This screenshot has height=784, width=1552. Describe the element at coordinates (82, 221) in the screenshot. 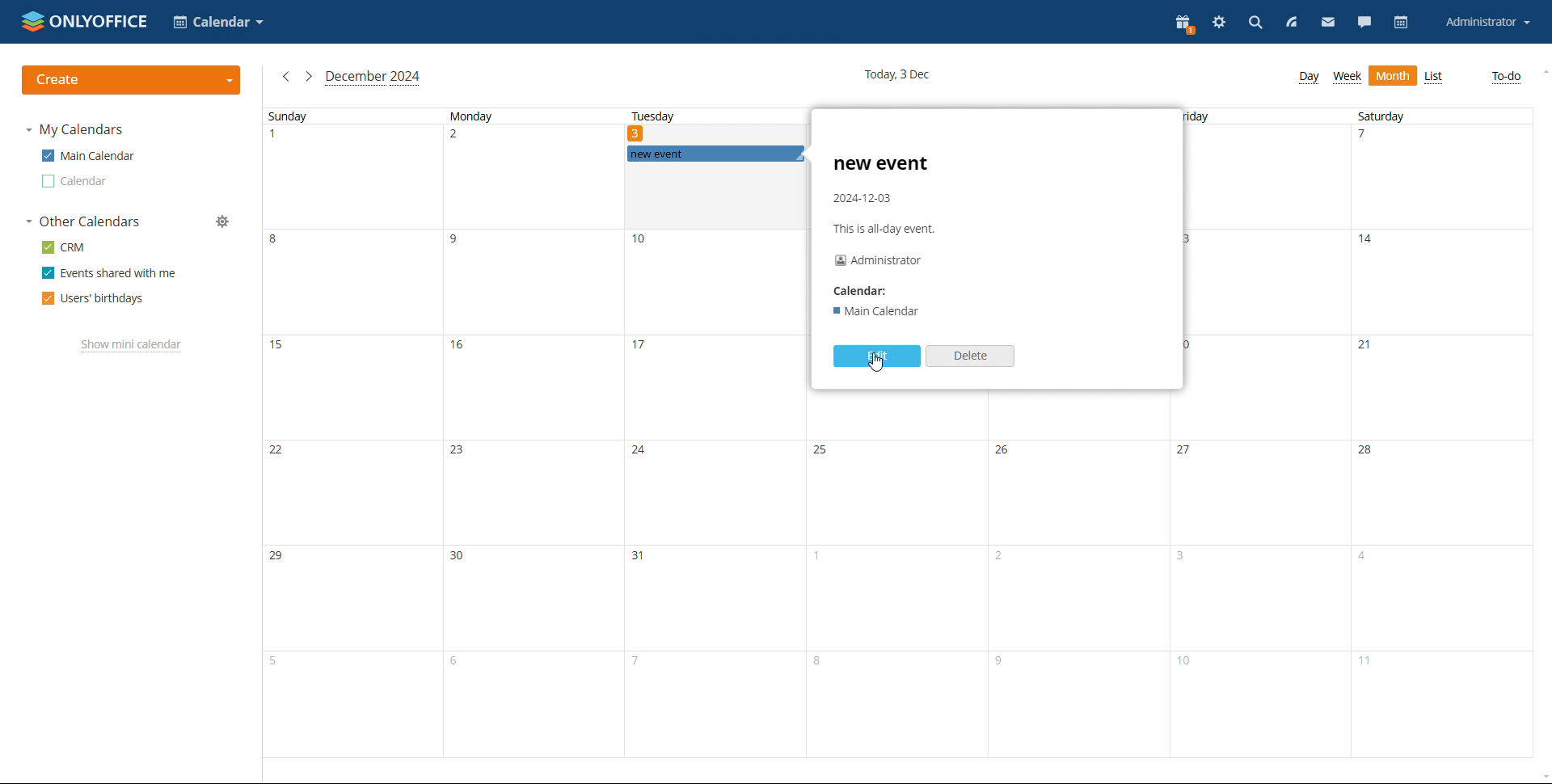

I see `other calendars` at that location.